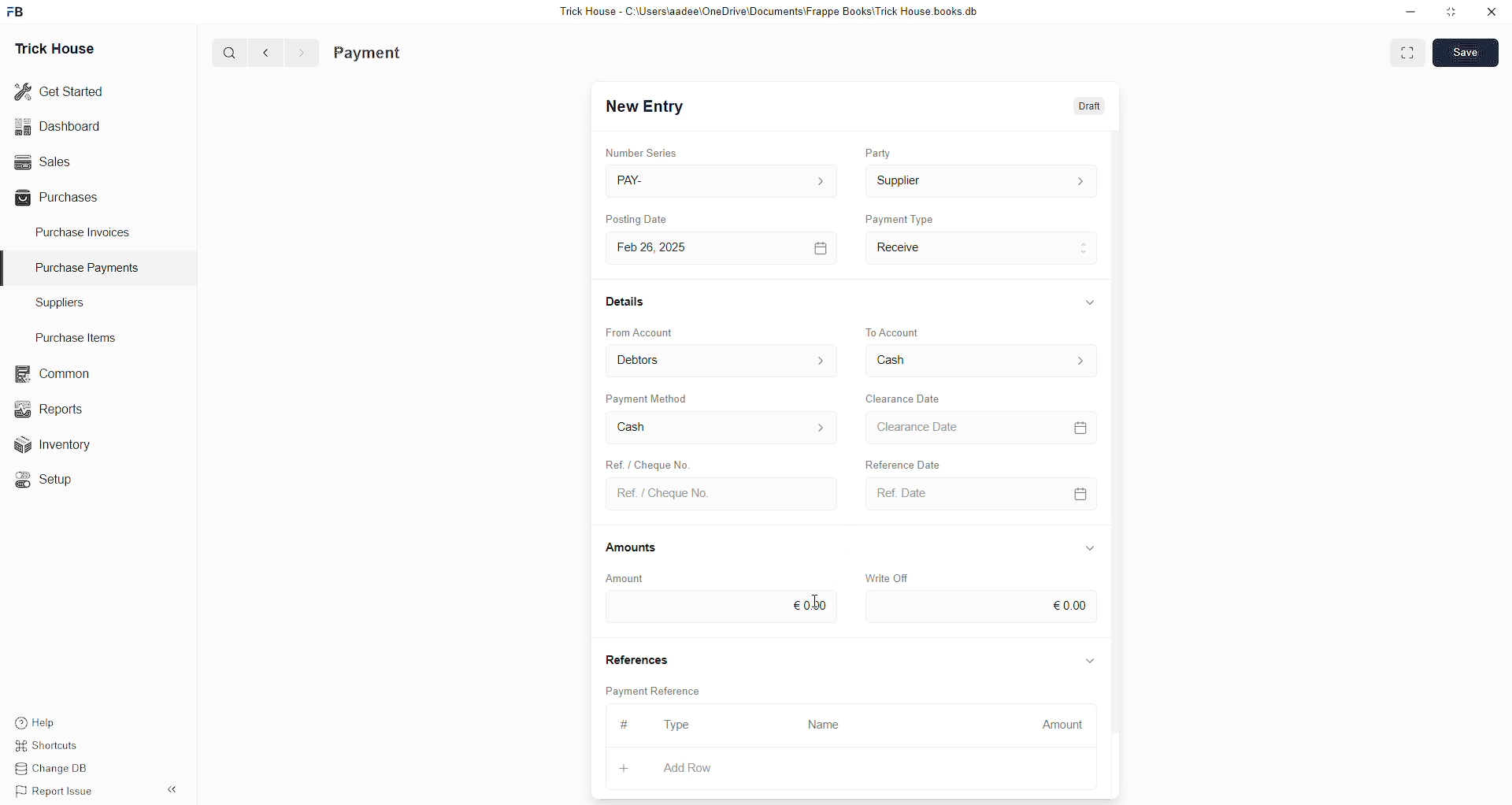 Image resolution: width=1512 pixels, height=805 pixels. What do you see at coordinates (51, 767) in the screenshot?
I see `Change DB` at bounding box center [51, 767].